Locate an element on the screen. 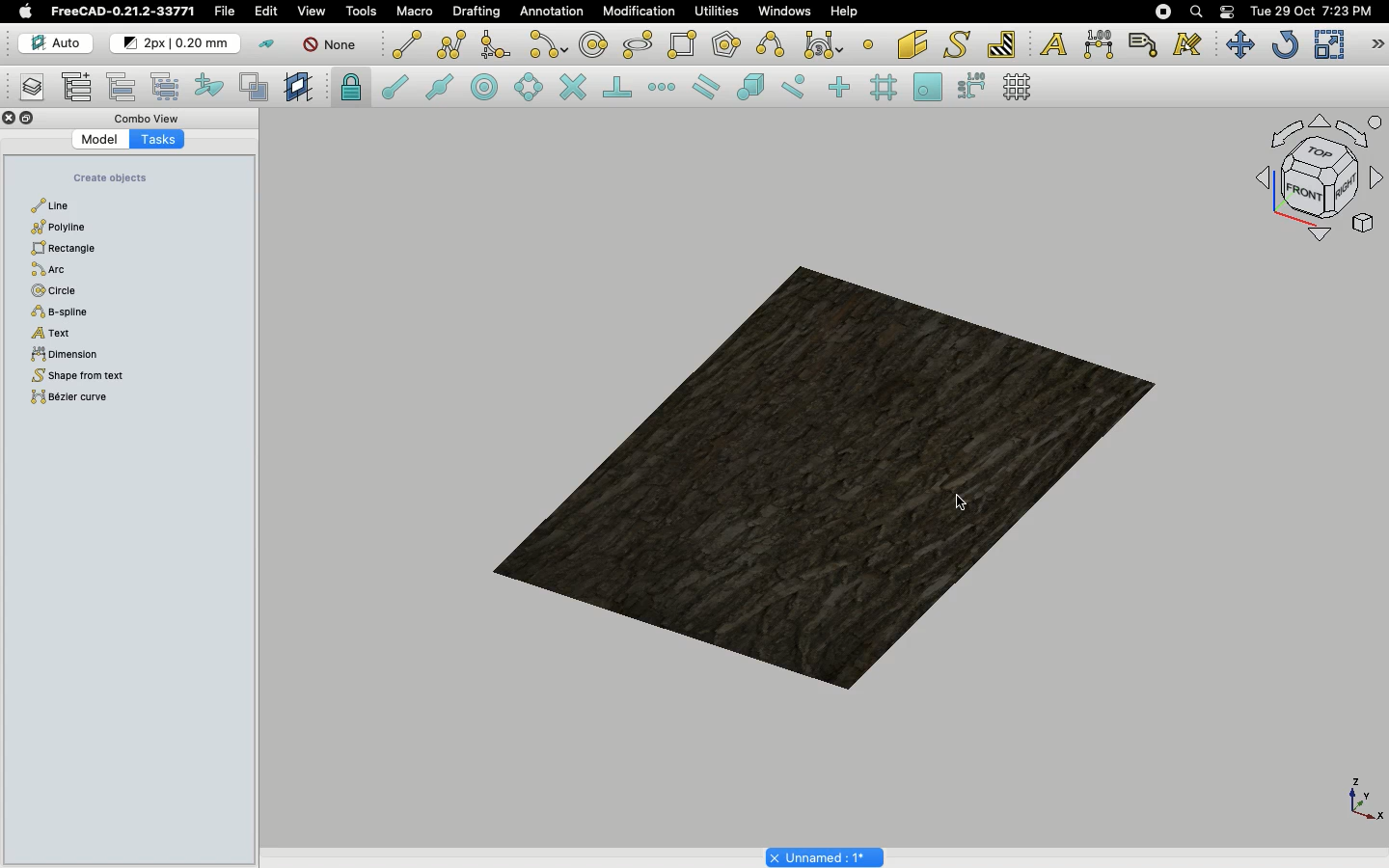 The height and width of the screenshot is (868, 1389). Fillet is located at coordinates (495, 45).